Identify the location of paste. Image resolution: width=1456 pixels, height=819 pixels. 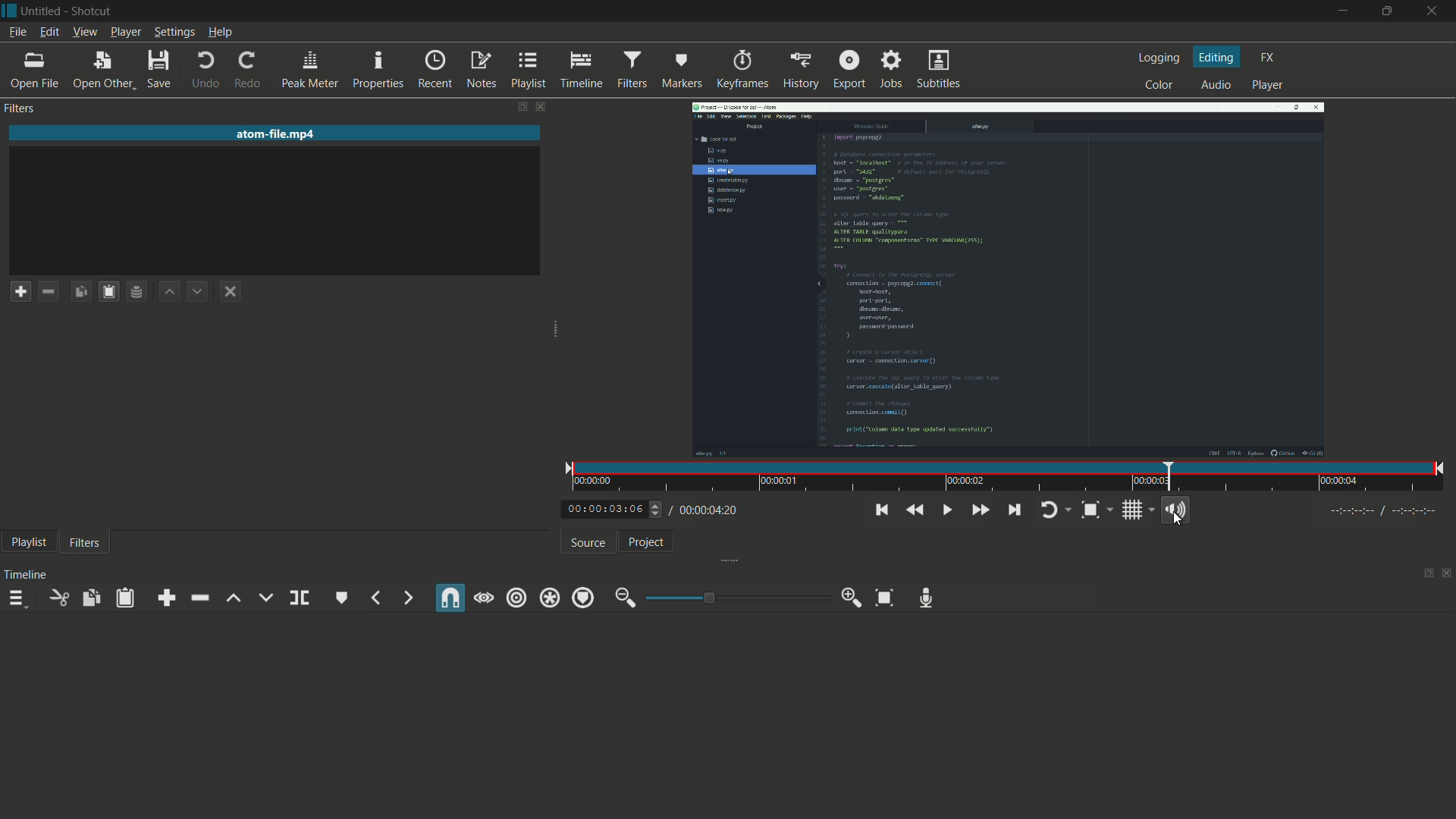
(124, 598).